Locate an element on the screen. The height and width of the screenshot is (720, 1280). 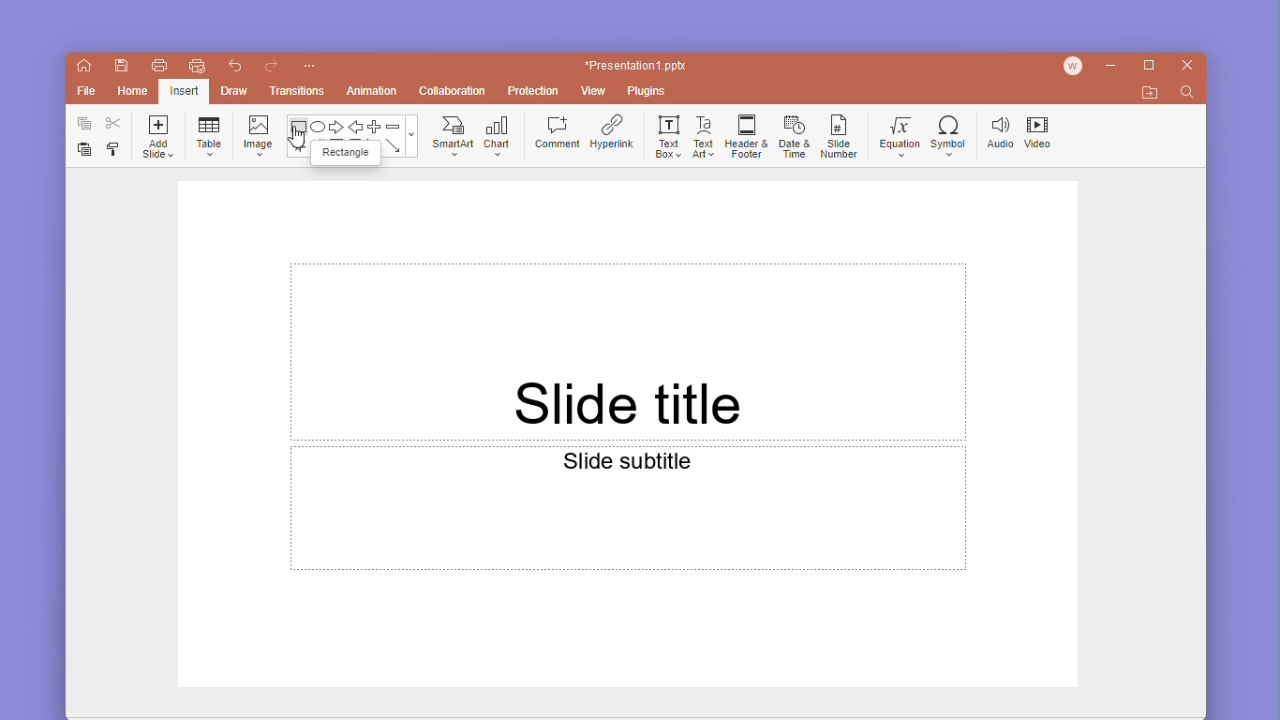
header & footer is located at coordinates (745, 135).